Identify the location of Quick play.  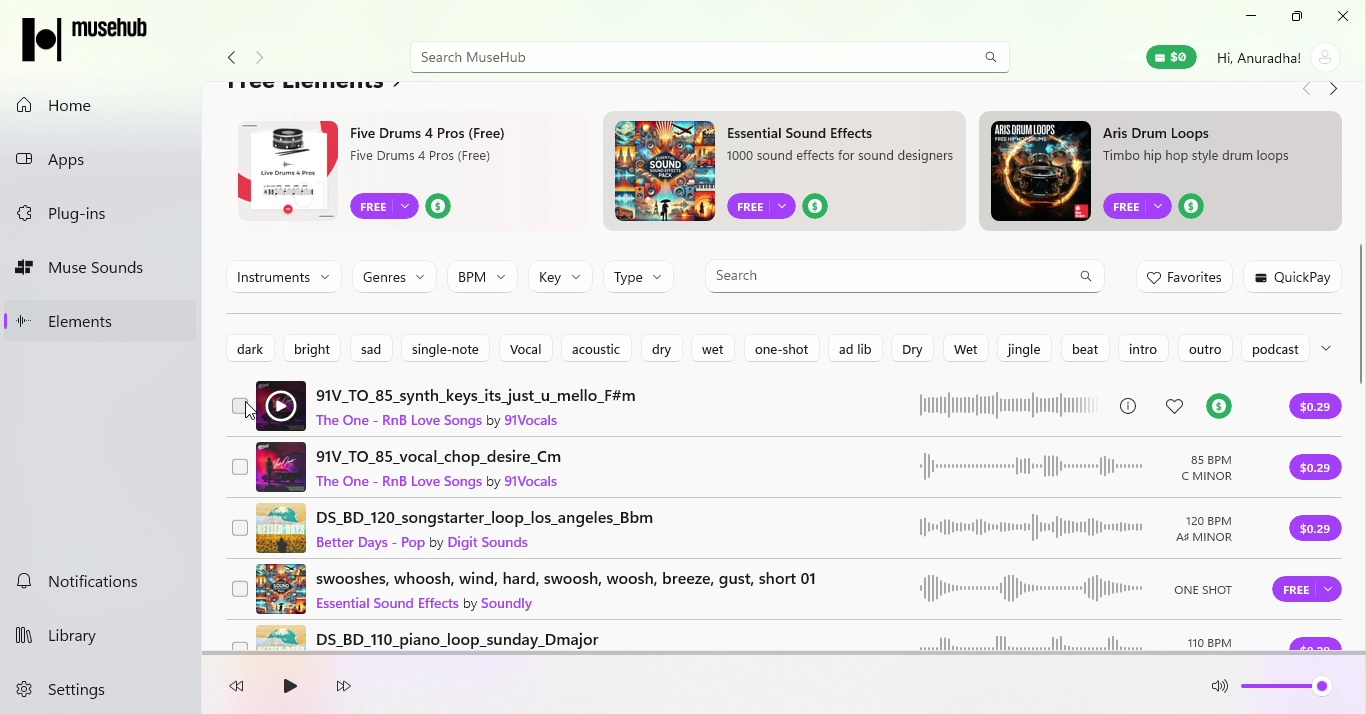
(1295, 276).